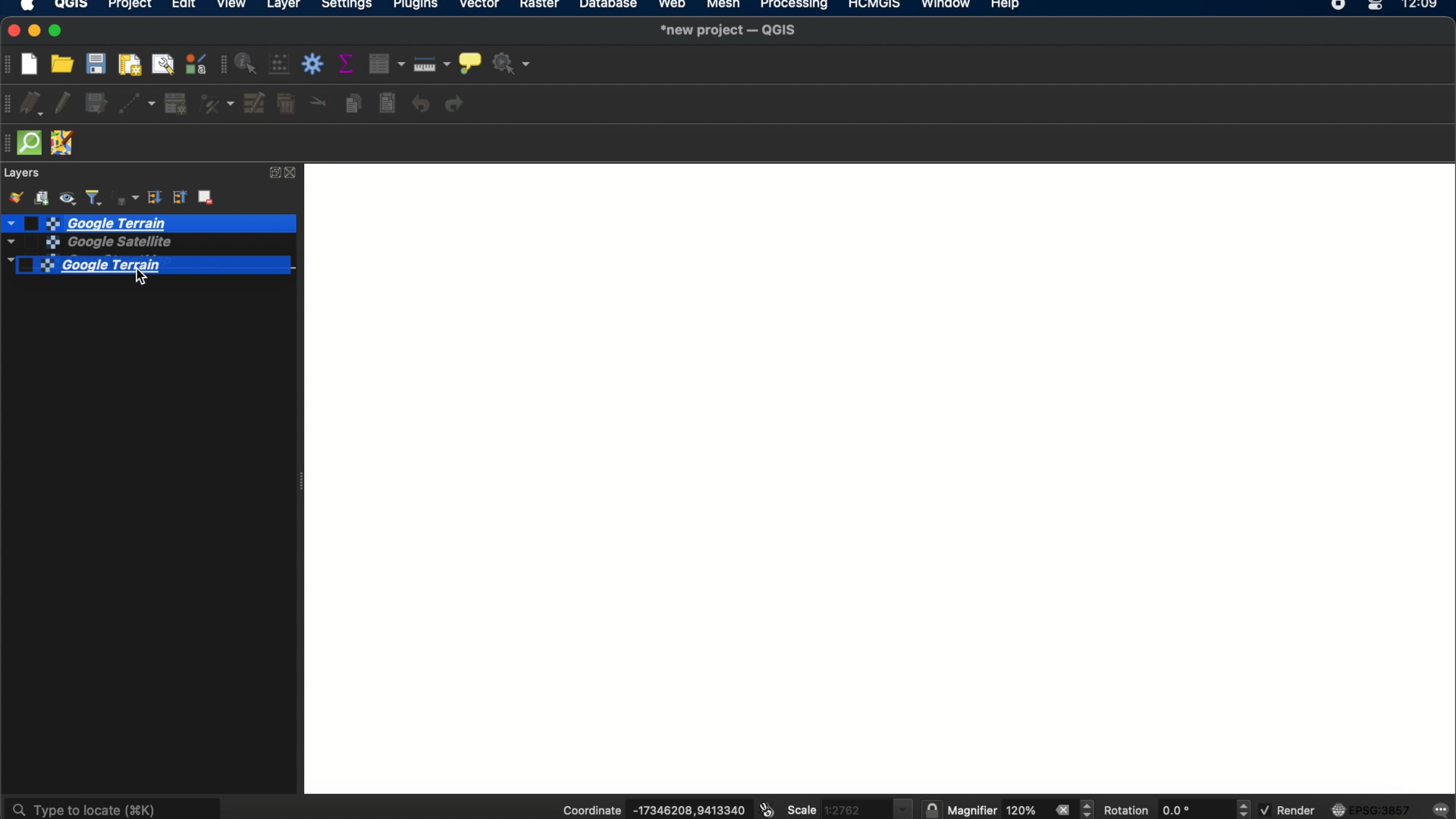  What do you see at coordinates (1339, 6) in the screenshot?
I see `recorder icon` at bounding box center [1339, 6].